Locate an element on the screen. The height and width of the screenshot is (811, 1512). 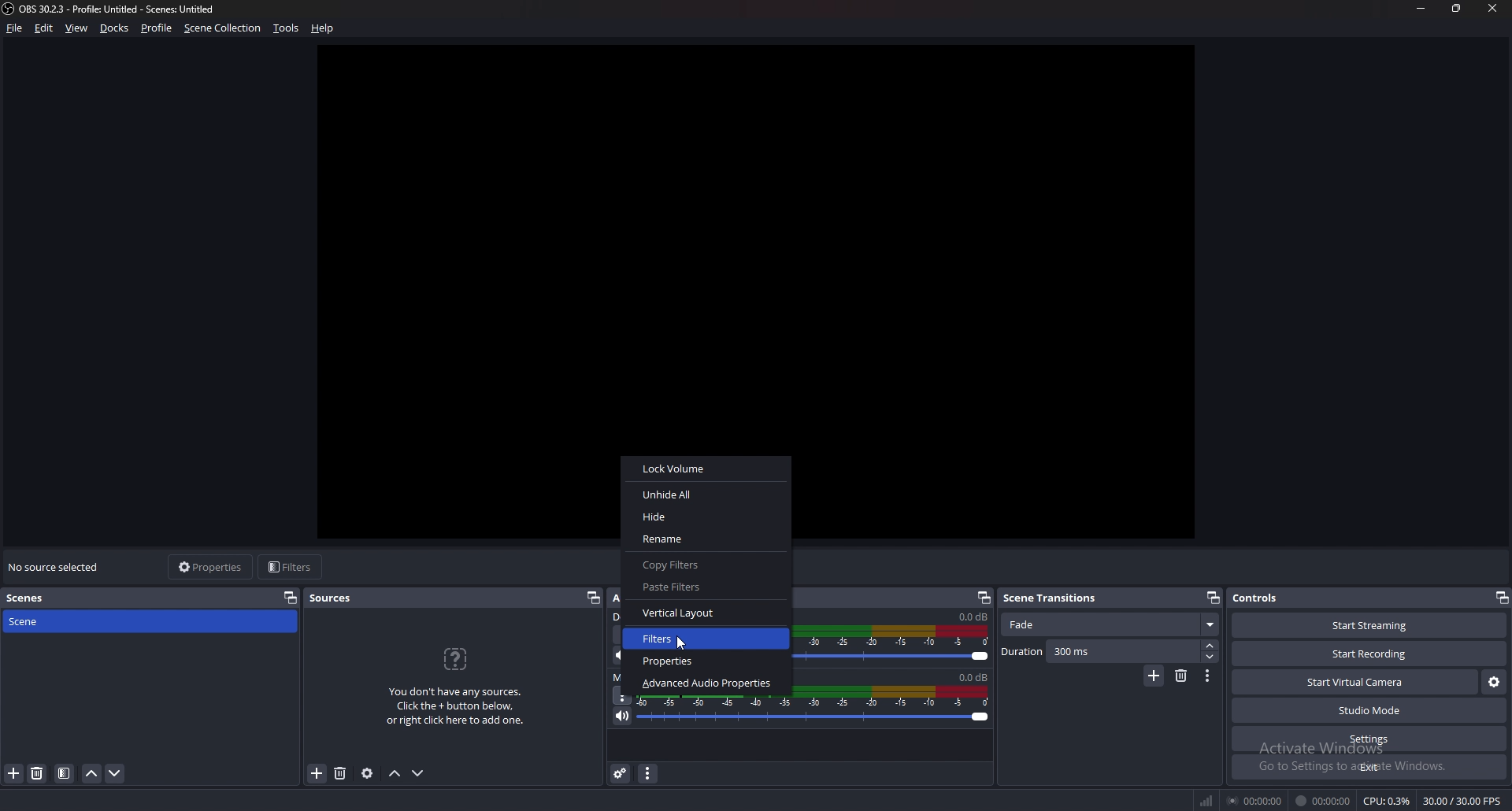
network is located at coordinates (1206, 801).